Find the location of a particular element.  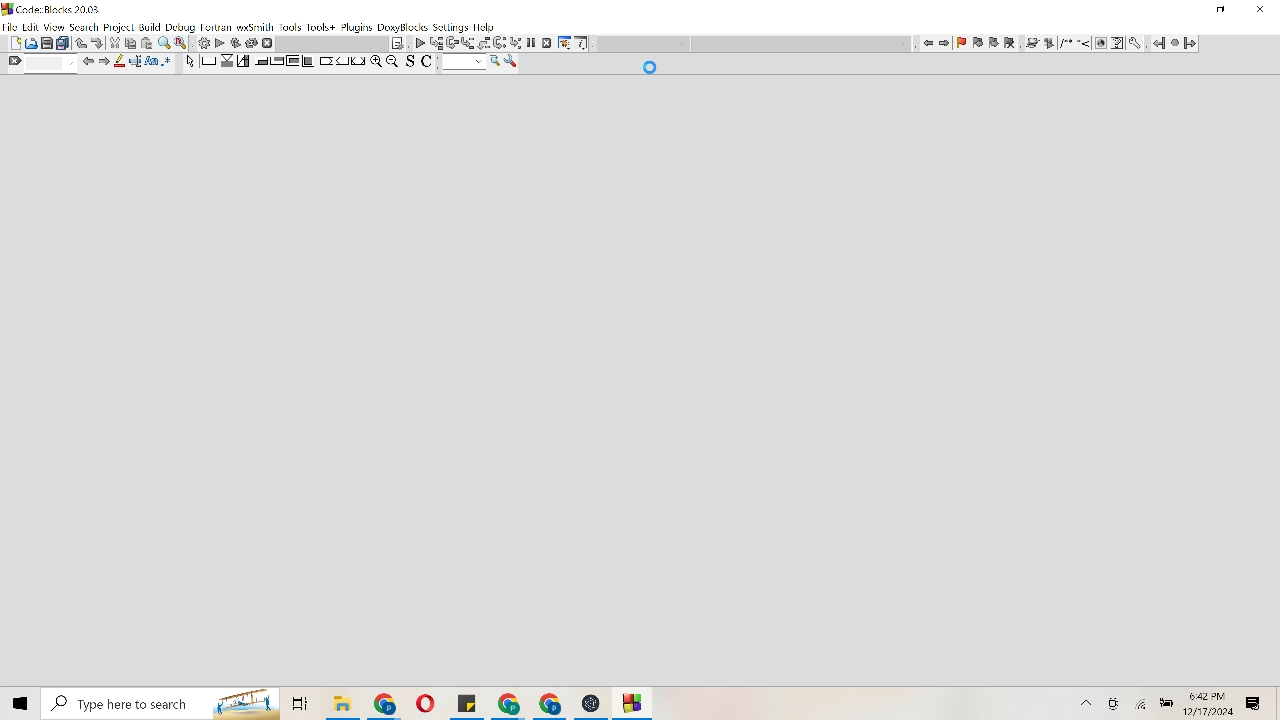

wxsmith is located at coordinates (255, 28).